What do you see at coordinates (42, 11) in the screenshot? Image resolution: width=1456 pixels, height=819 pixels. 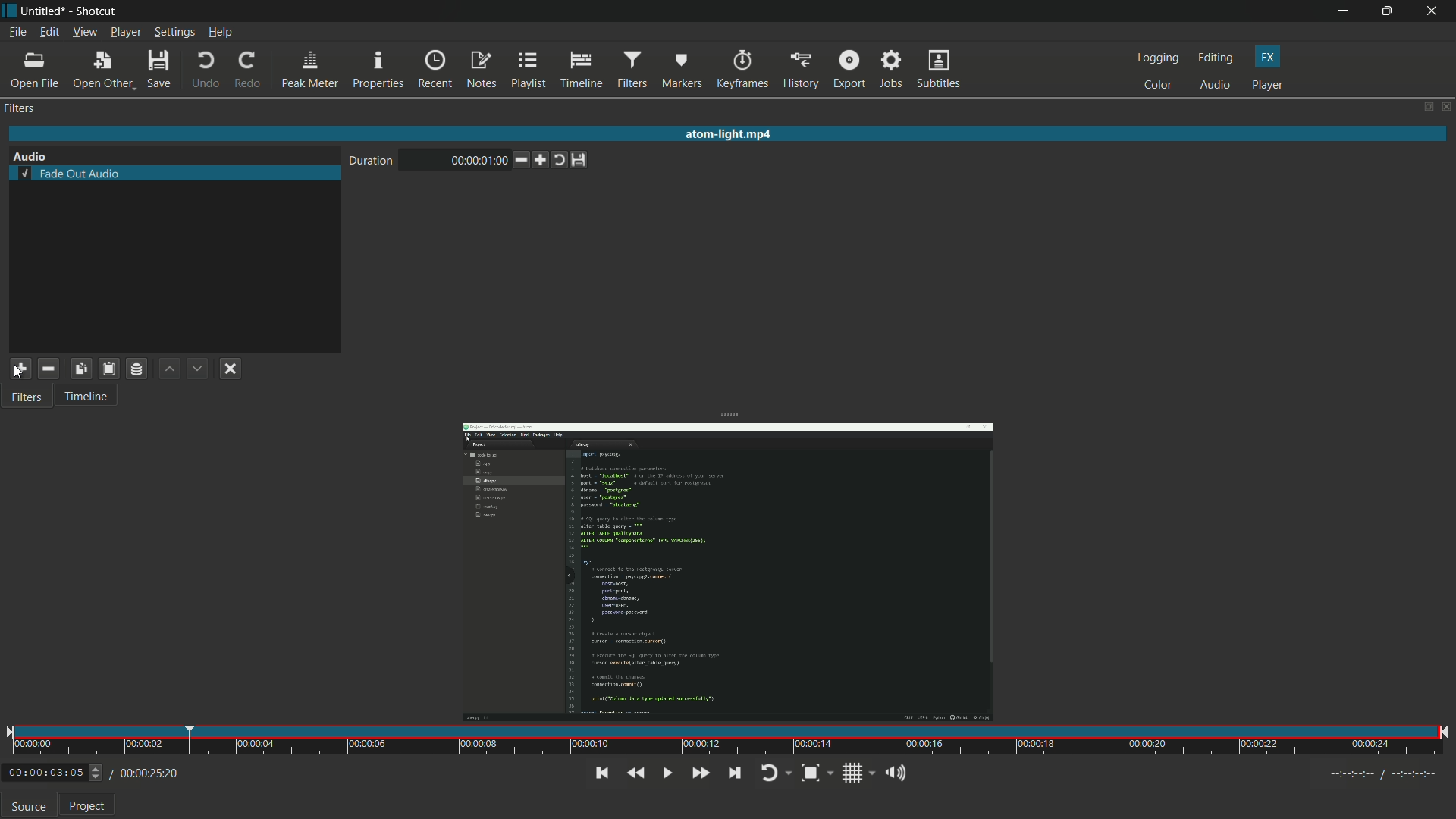 I see `file name` at bounding box center [42, 11].